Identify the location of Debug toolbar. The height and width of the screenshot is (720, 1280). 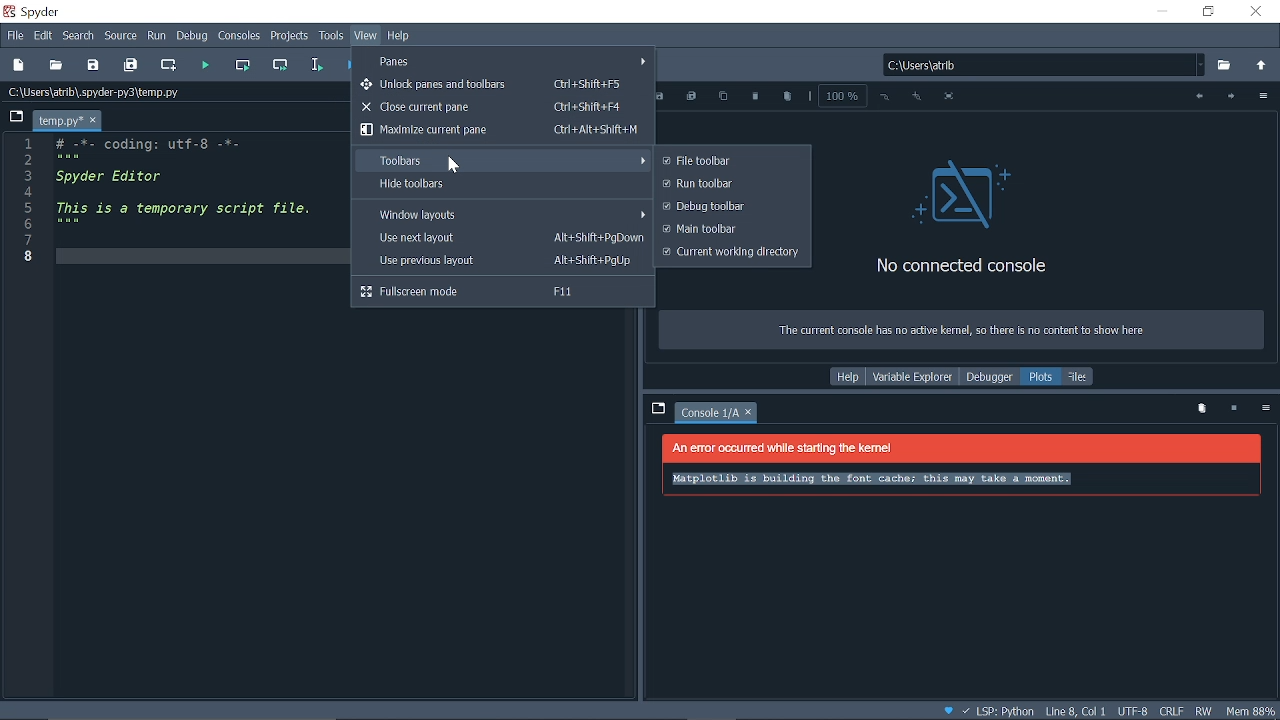
(730, 206).